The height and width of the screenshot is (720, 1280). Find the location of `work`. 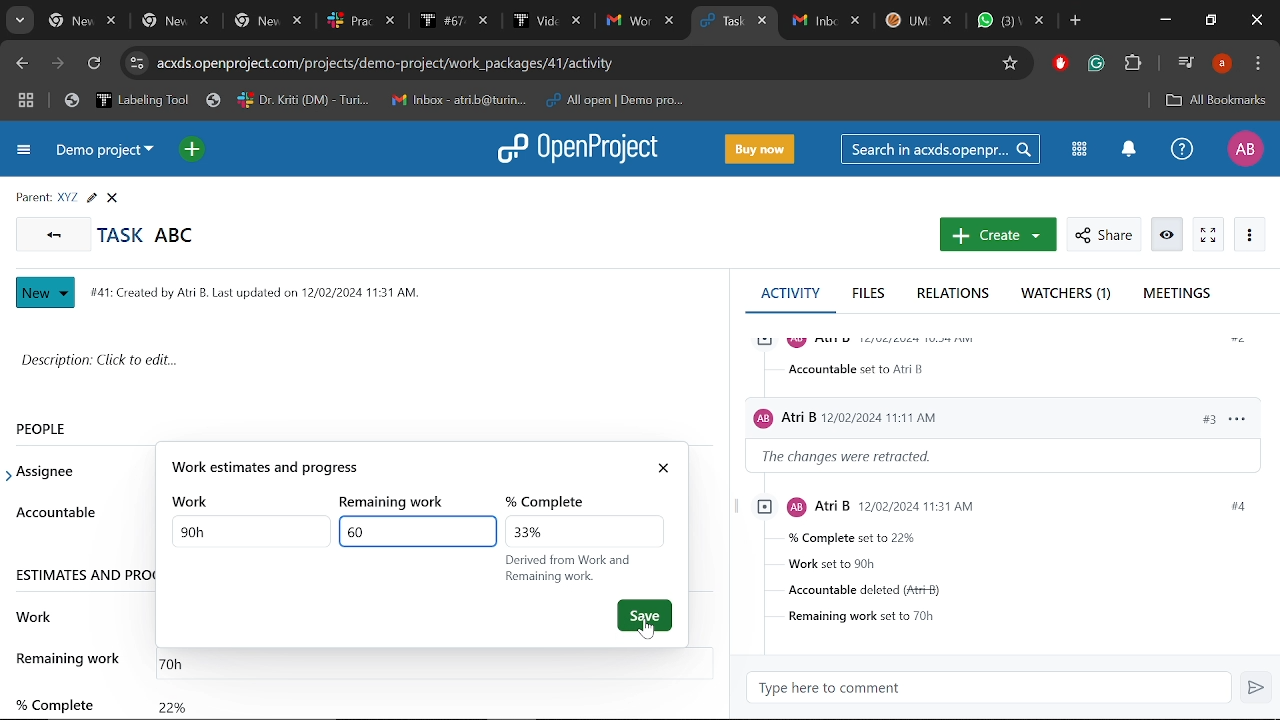

work is located at coordinates (35, 614).